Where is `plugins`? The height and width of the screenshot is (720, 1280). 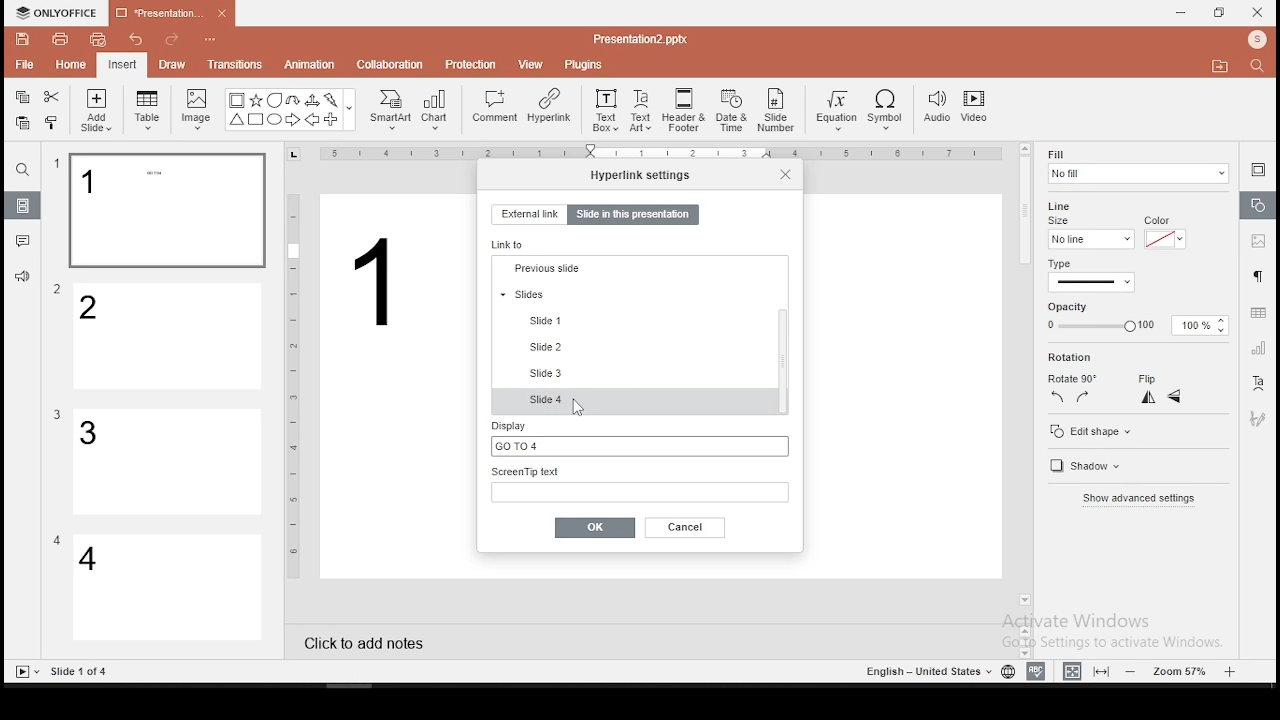 plugins is located at coordinates (585, 61).